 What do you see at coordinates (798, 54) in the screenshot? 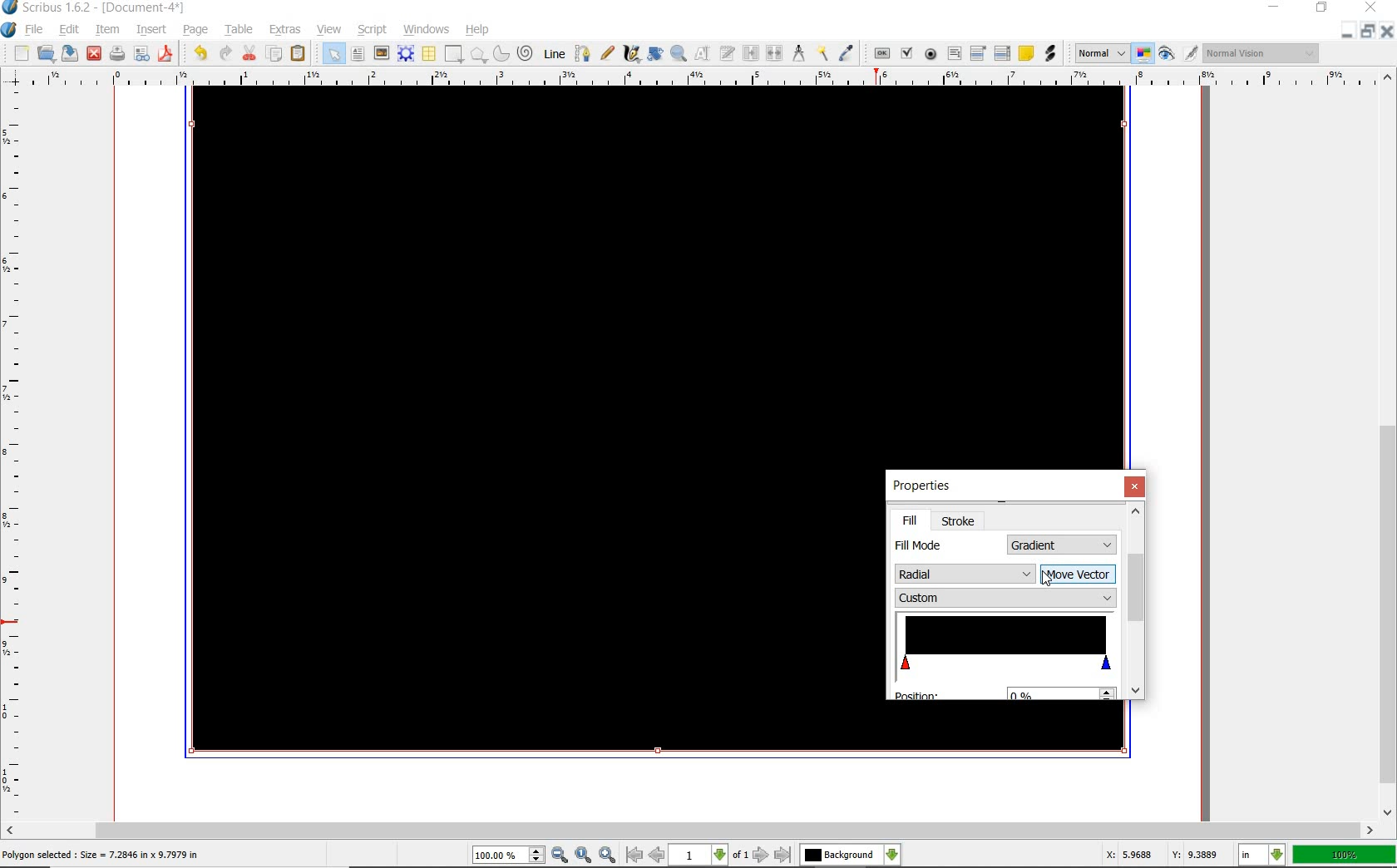
I see `measurements` at bounding box center [798, 54].